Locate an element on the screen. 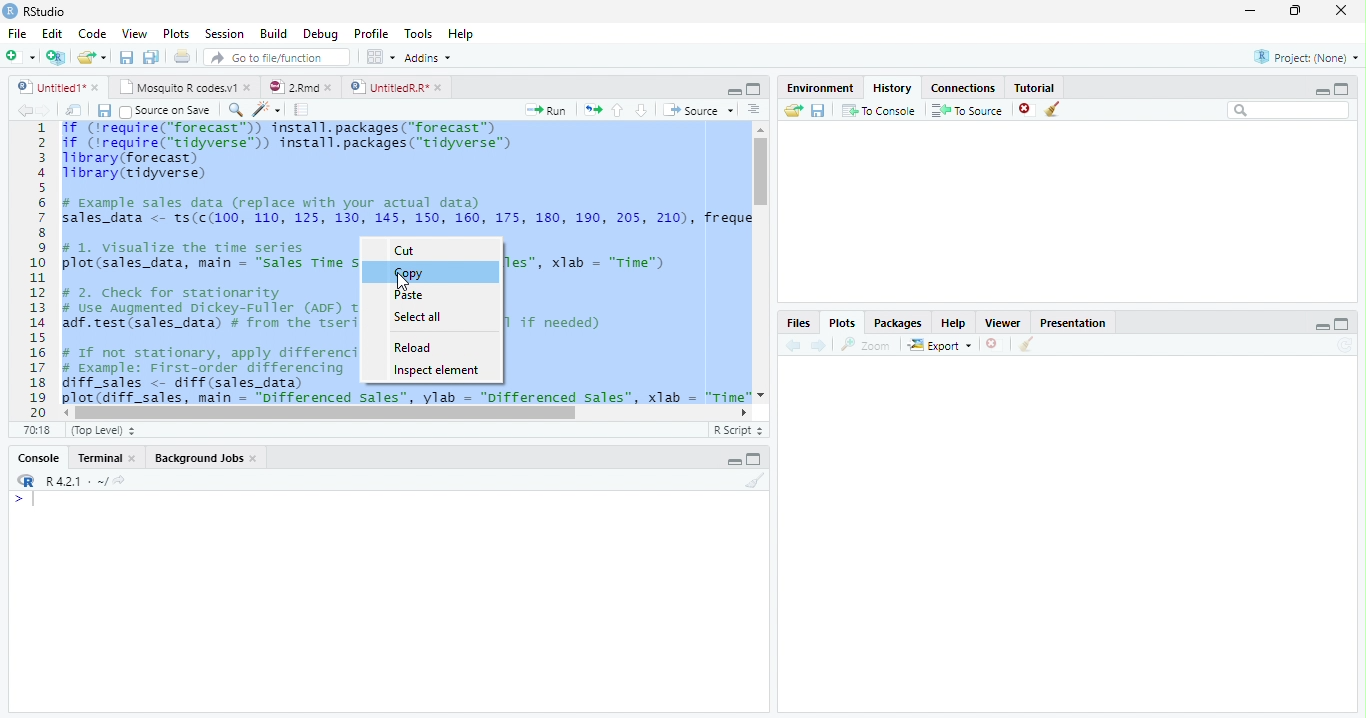 The image size is (1366, 718). # 1. visualize the time series
plot(sales_data, main — "sales Time Series”, ylab = “sales”, xlab = "Time") is located at coordinates (206, 255).